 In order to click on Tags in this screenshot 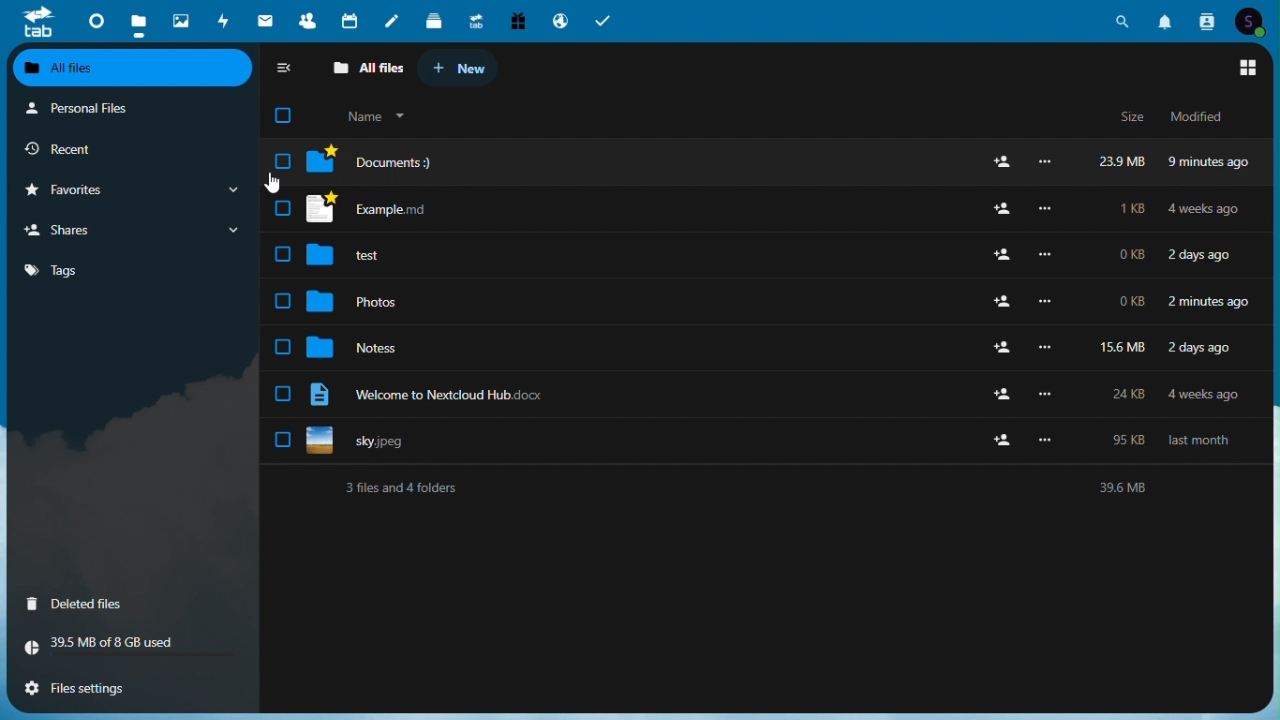, I will do `click(126, 273)`.